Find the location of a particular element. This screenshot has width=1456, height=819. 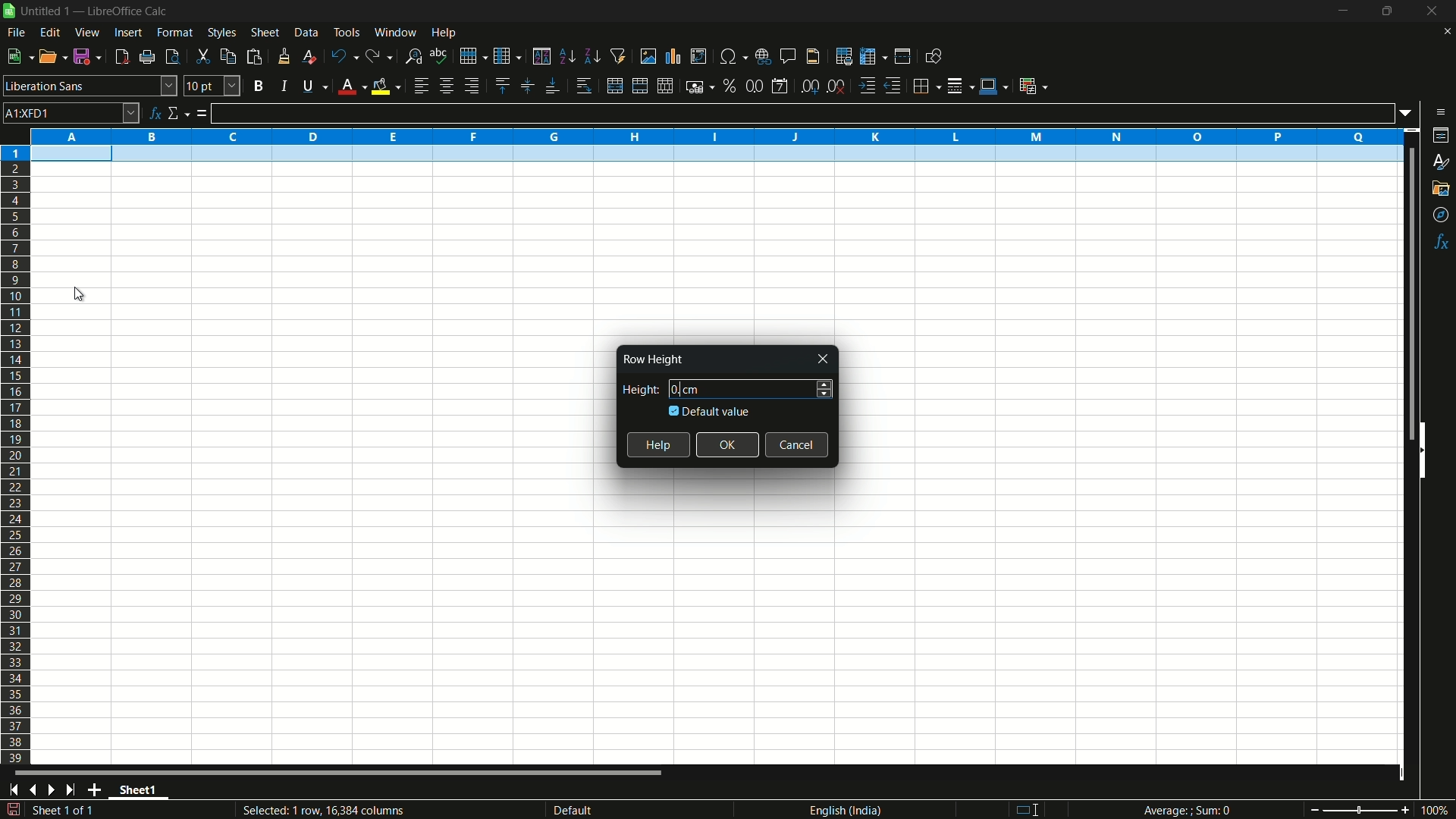

minimize is located at coordinates (1343, 11).